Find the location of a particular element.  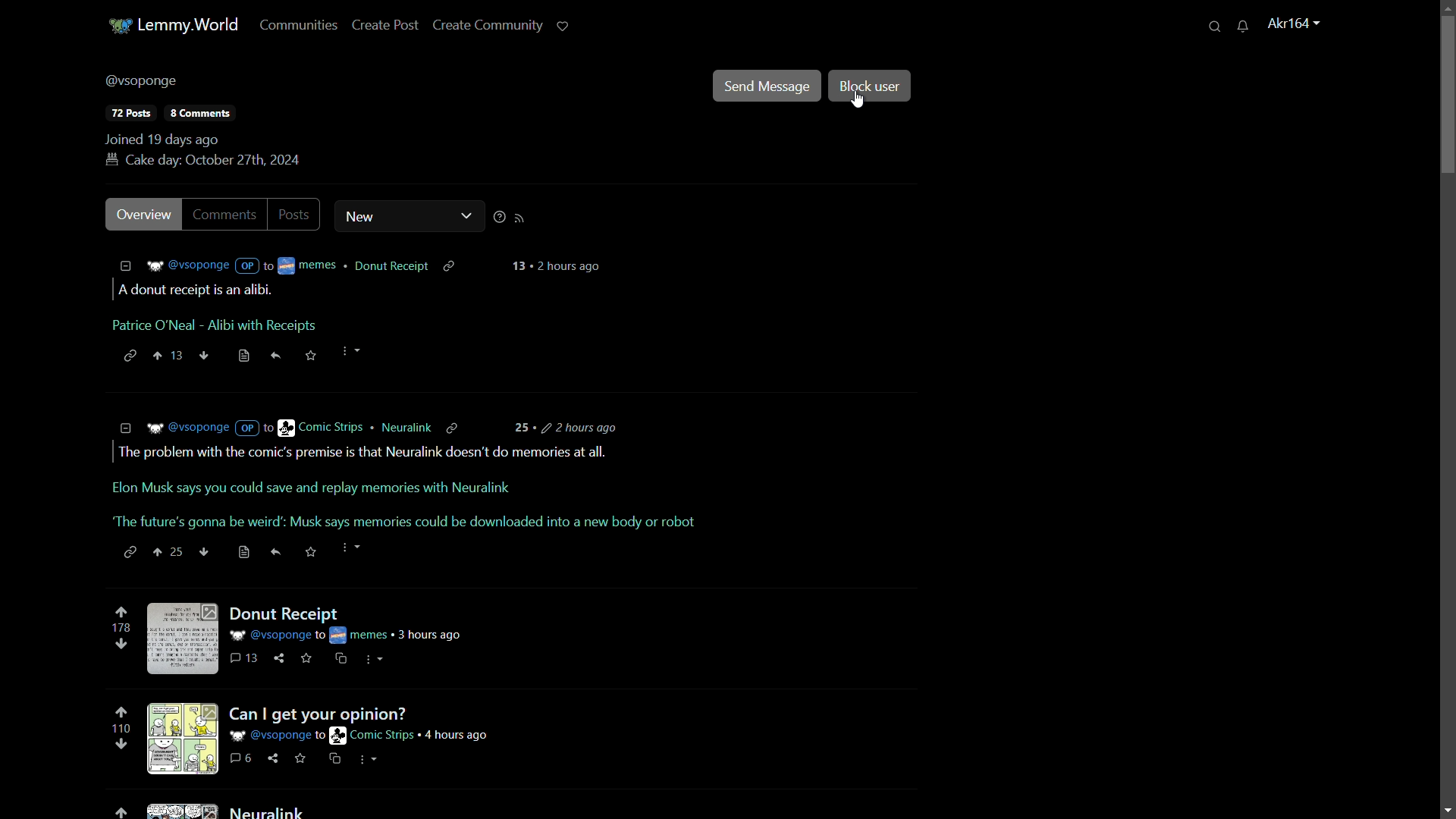

time is located at coordinates (571, 428).